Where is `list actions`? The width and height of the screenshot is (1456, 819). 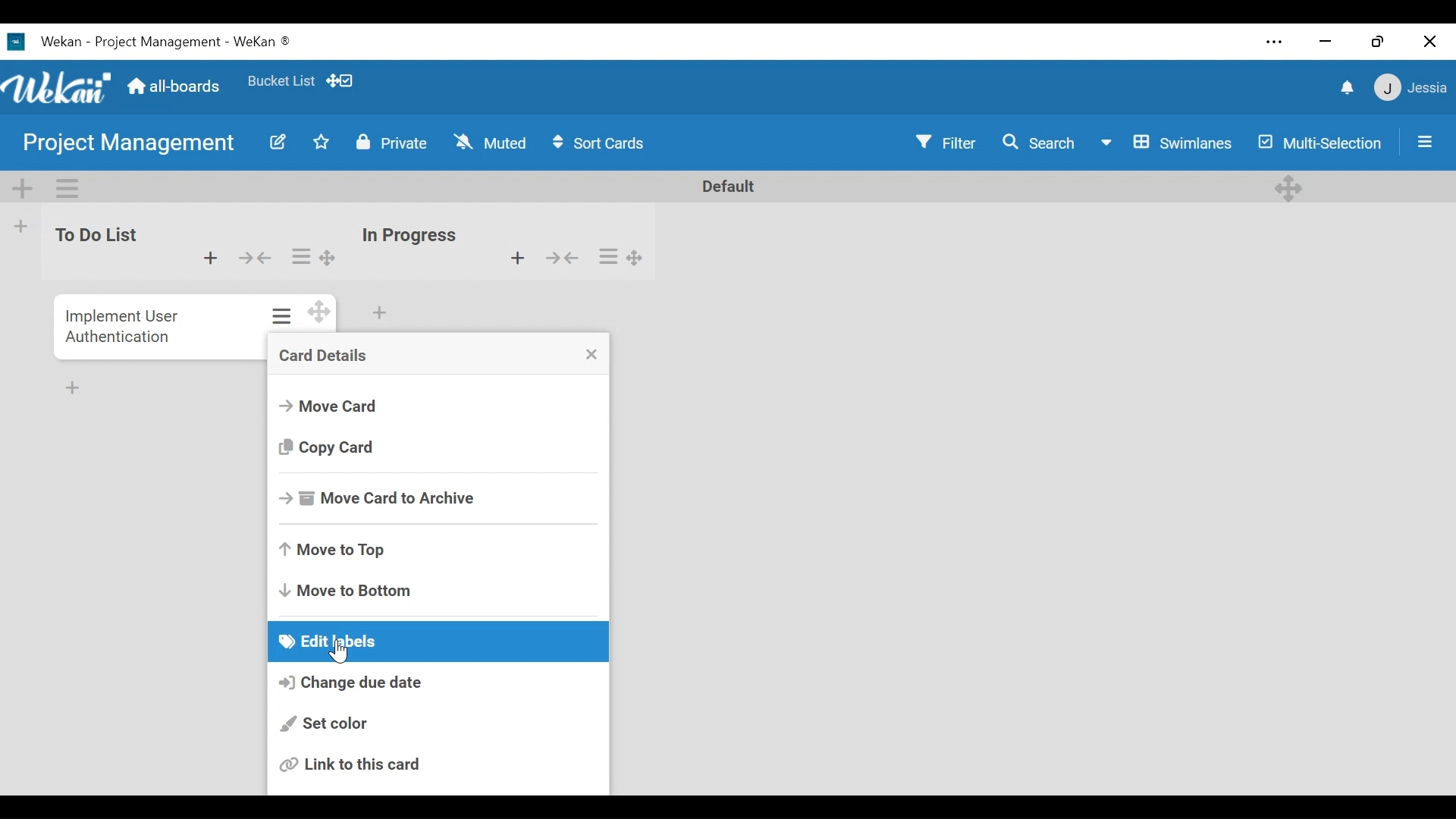 list actions is located at coordinates (610, 257).